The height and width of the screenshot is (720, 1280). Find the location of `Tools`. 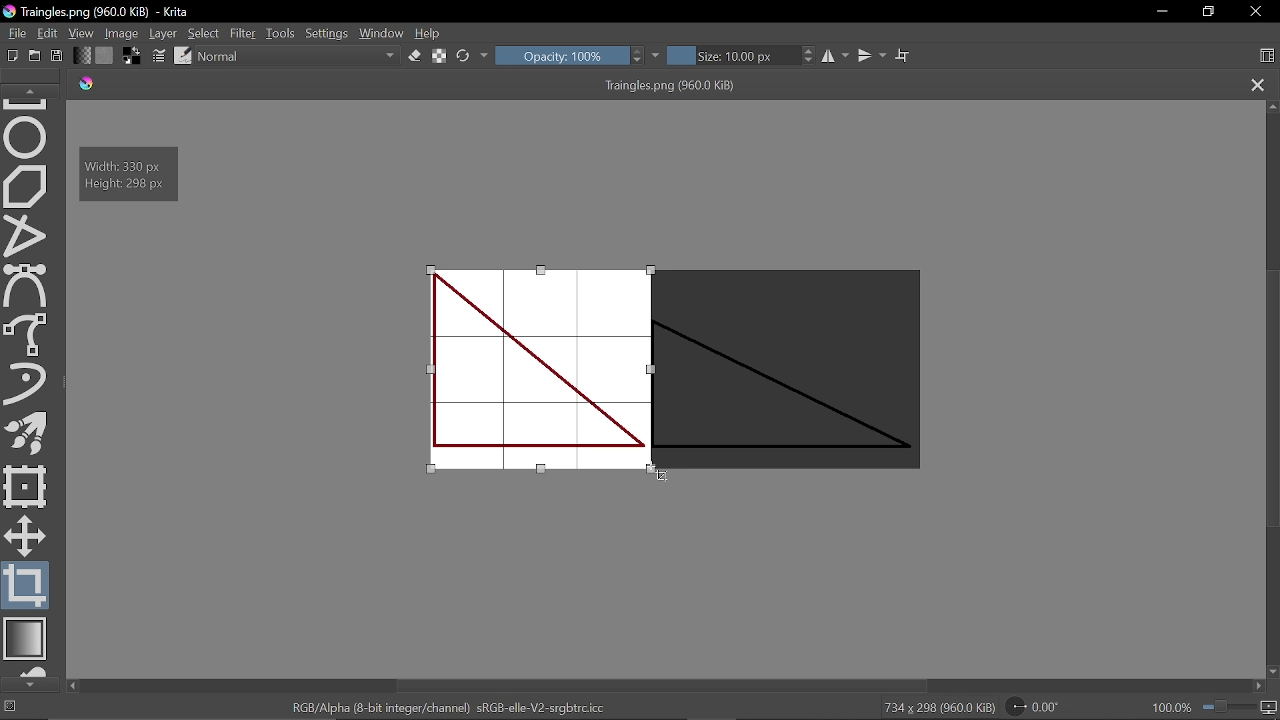

Tools is located at coordinates (281, 33).